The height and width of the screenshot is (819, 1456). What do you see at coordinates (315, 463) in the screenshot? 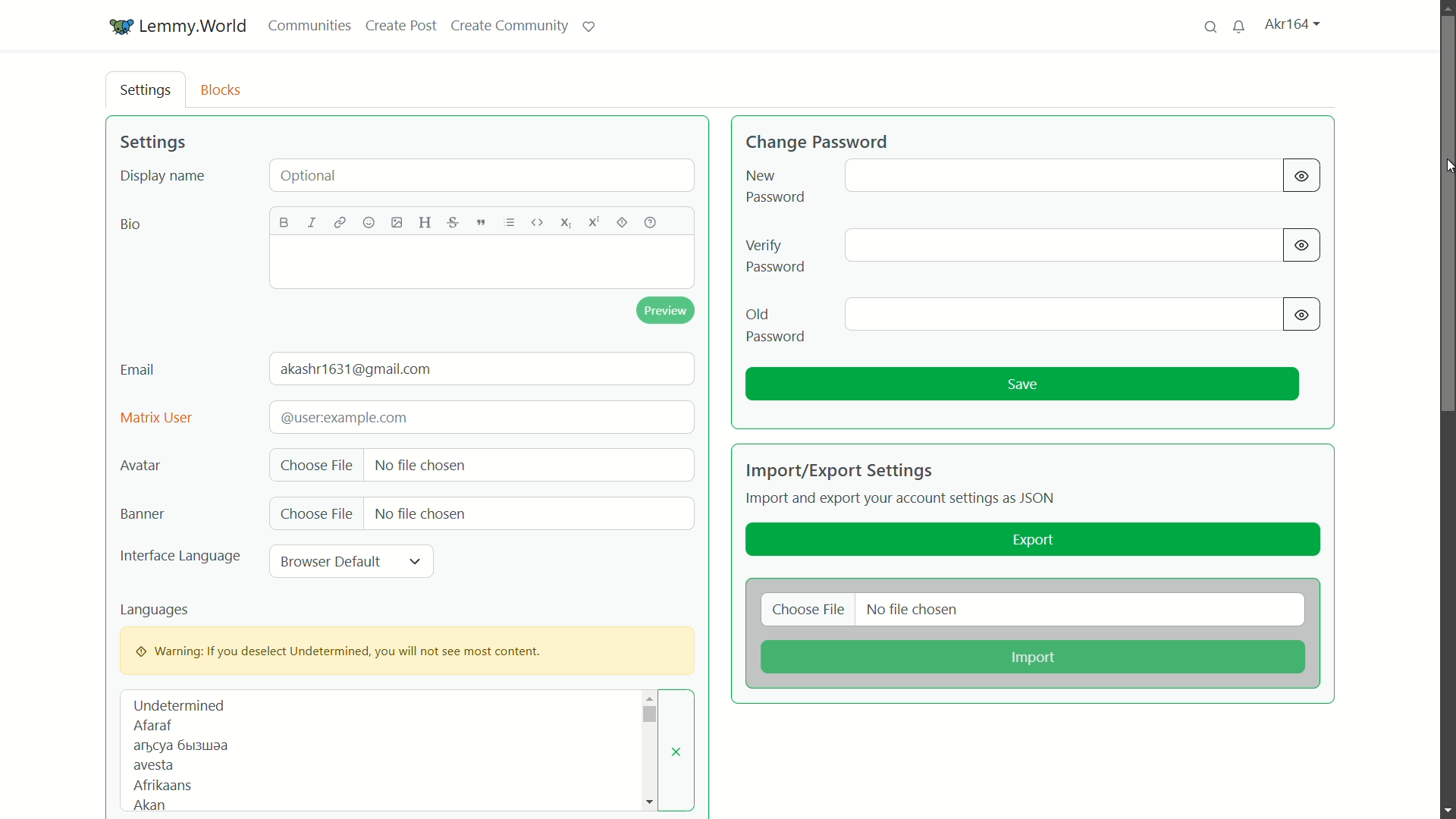
I see `choose file` at bounding box center [315, 463].